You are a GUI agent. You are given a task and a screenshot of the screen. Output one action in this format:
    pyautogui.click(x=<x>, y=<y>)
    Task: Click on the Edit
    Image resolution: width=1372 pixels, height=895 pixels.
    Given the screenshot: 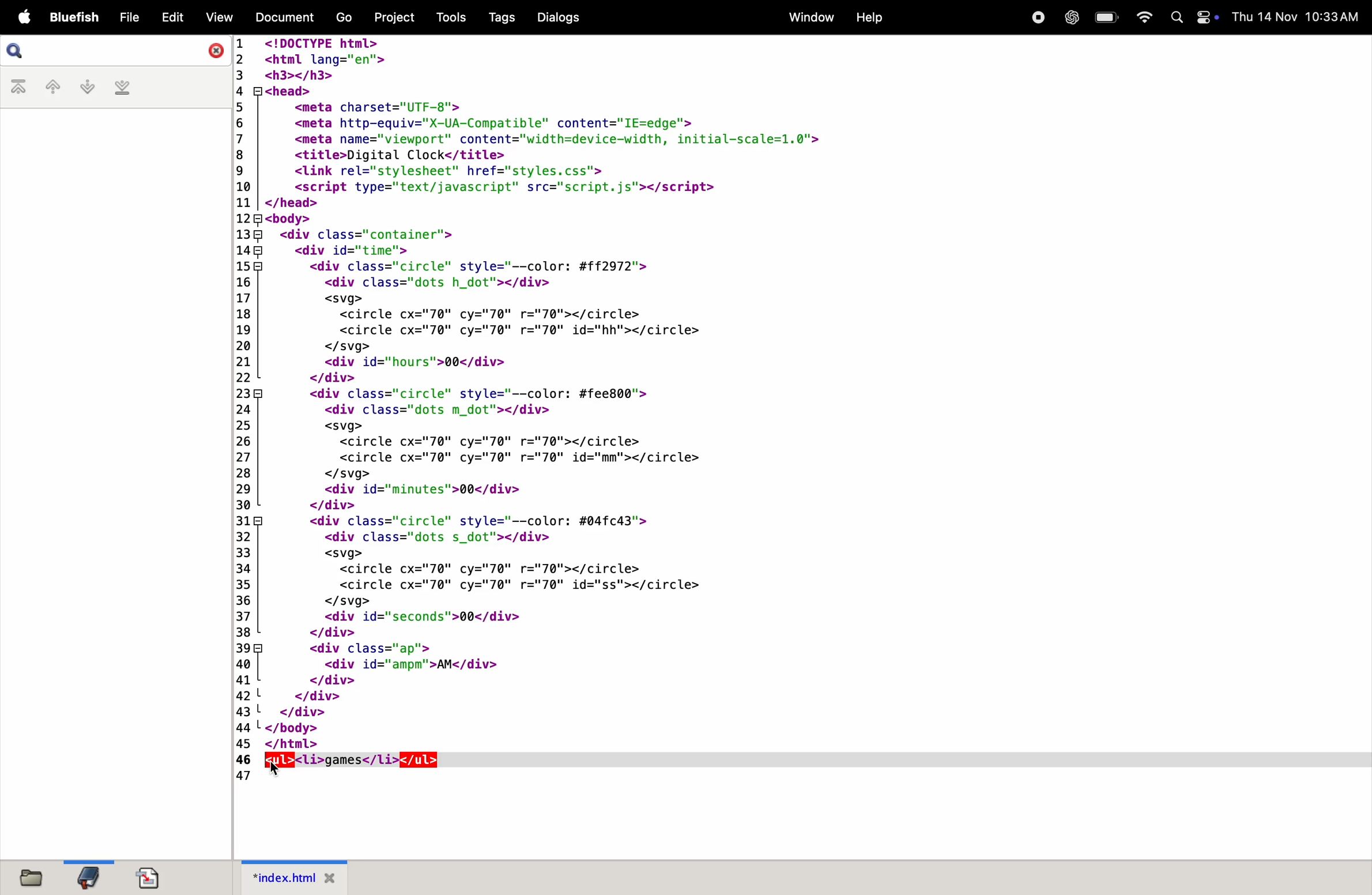 What is the action you would take?
    pyautogui.click(x=174, y=17)
    